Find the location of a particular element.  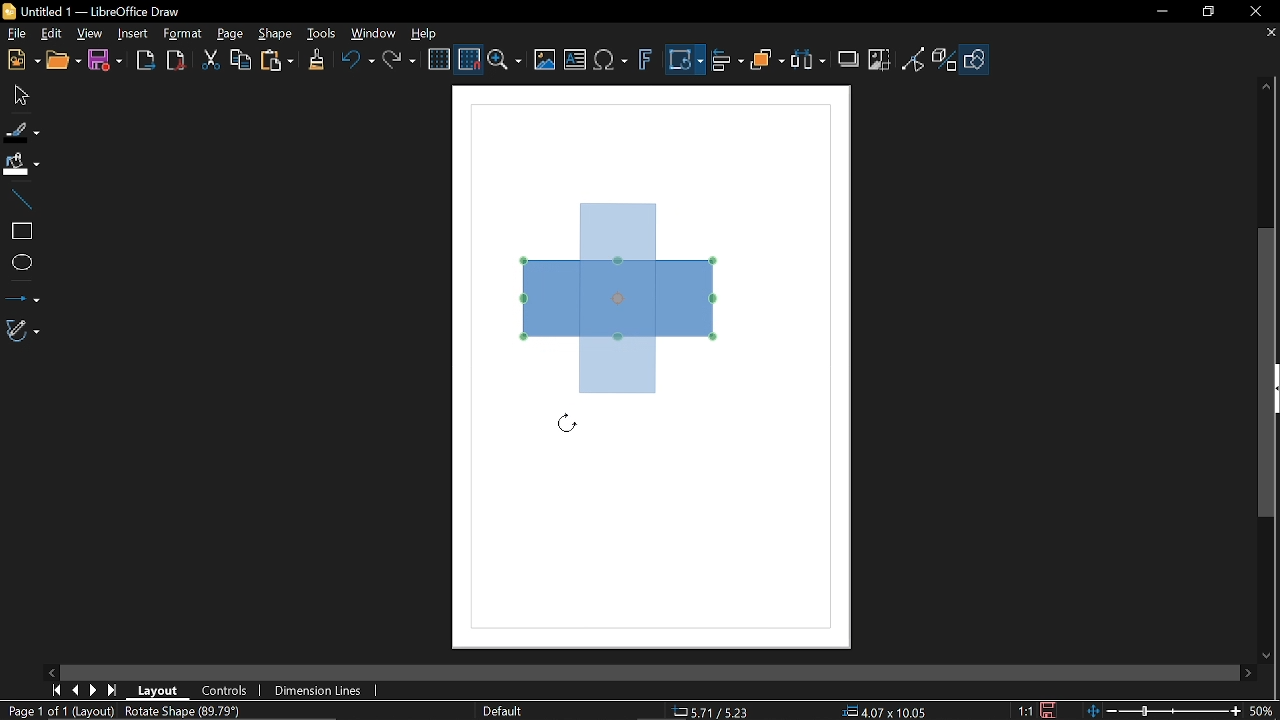

Shape is located at coordinates (278, 35).